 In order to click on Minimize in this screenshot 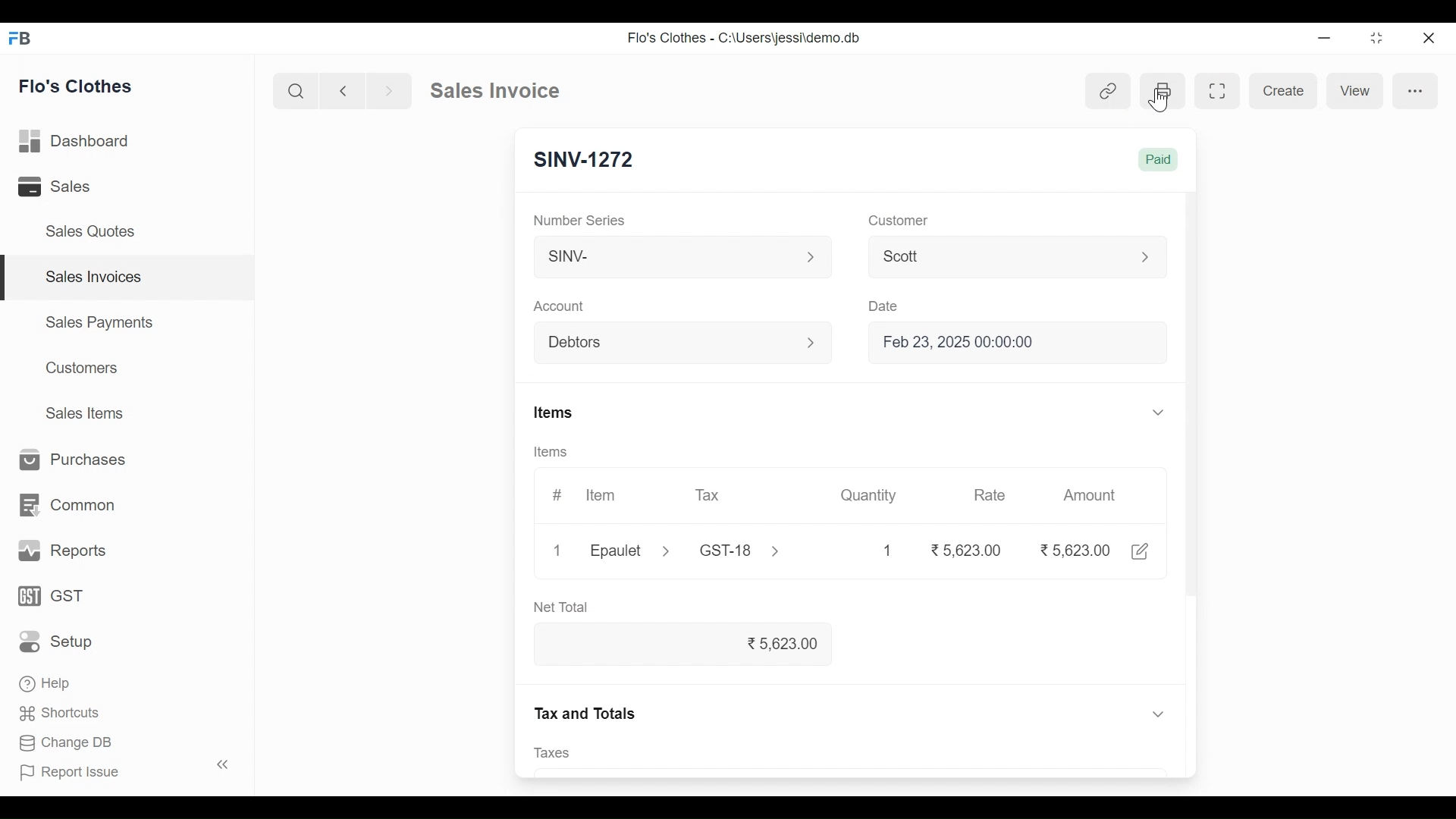, I will do `click(1325, 39)`.